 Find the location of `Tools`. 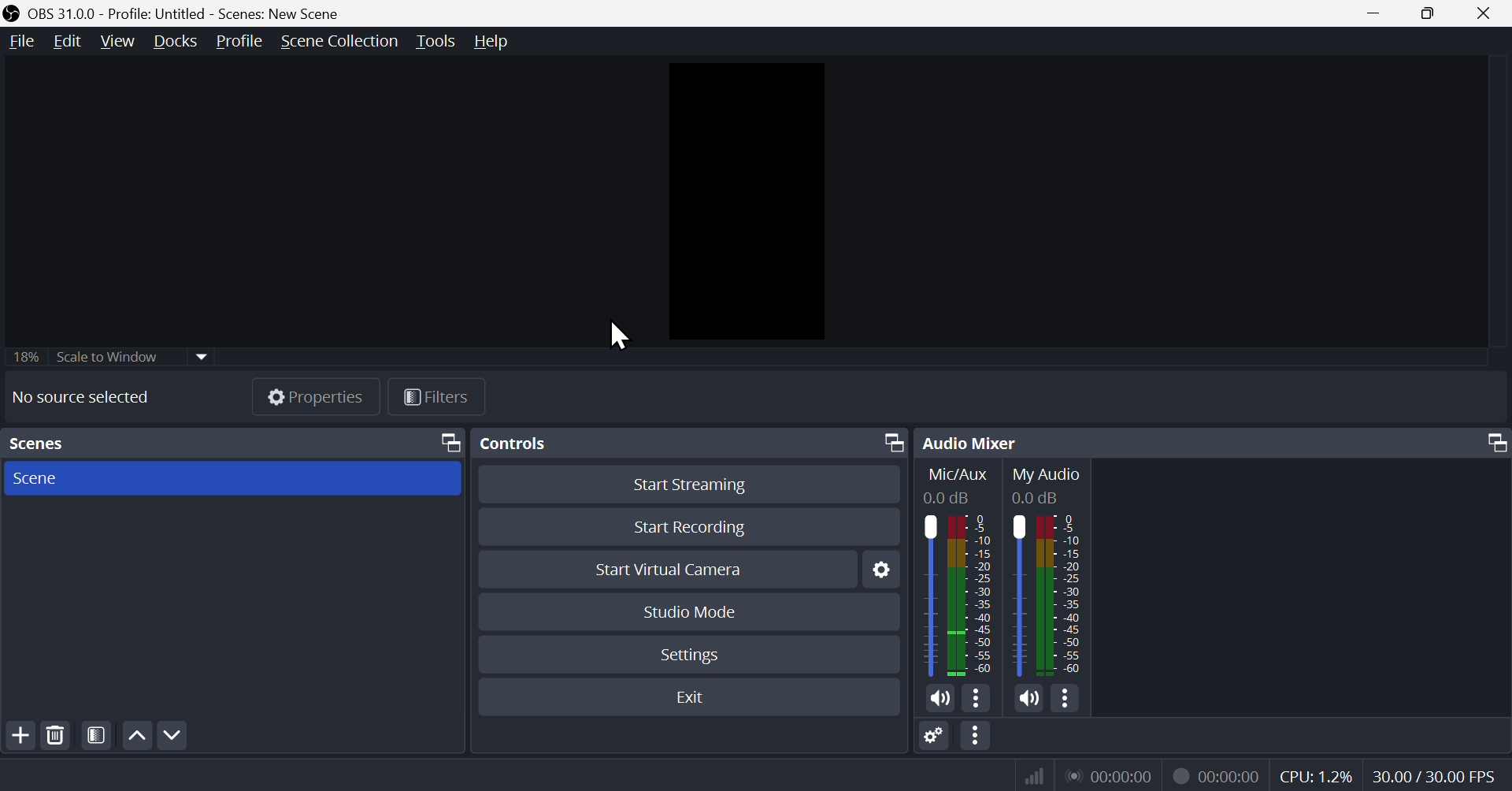

Tools is located at coordinates (435, 43).